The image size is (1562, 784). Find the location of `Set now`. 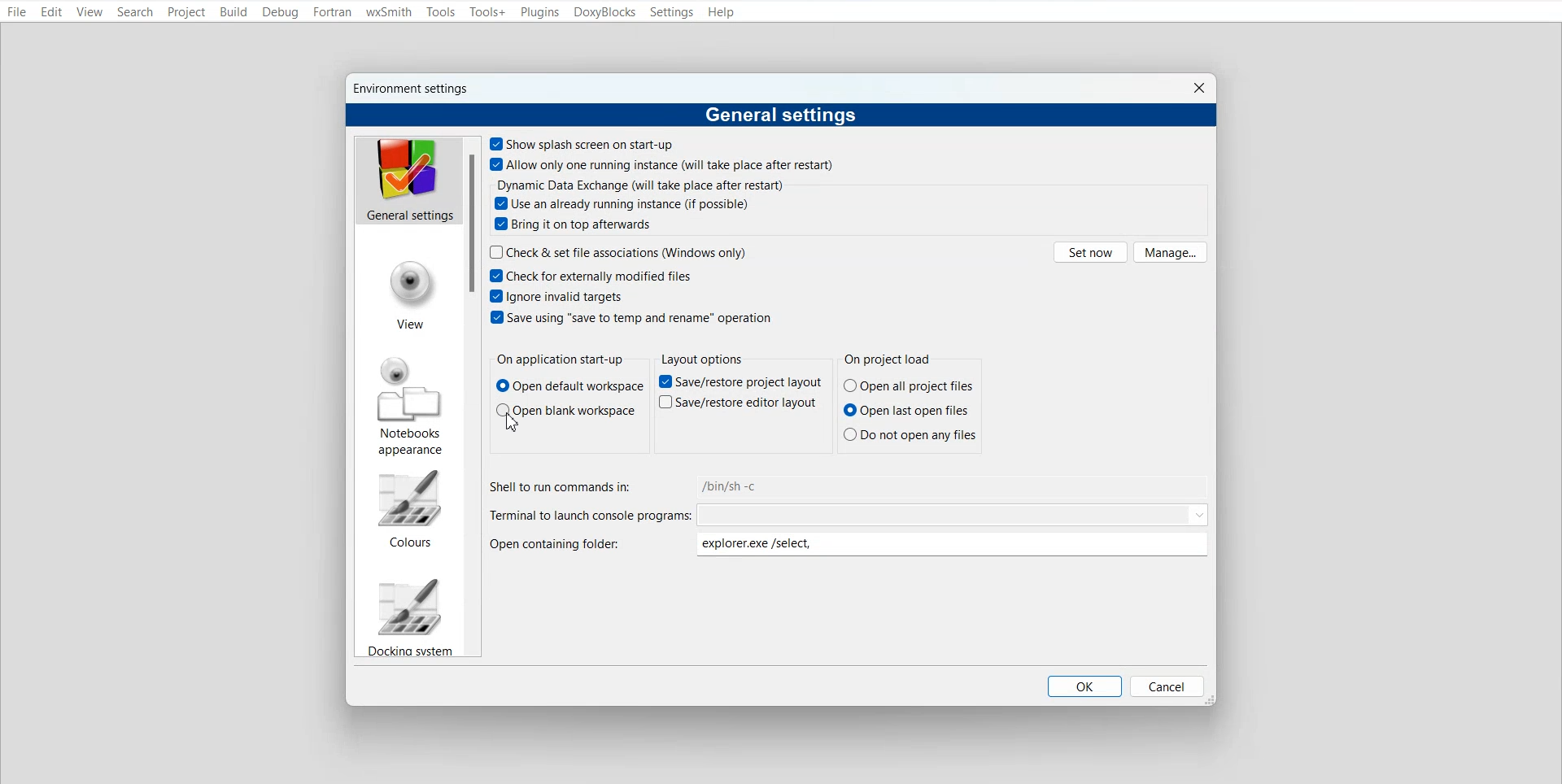

Set now is located at coordinates (1090, 251).